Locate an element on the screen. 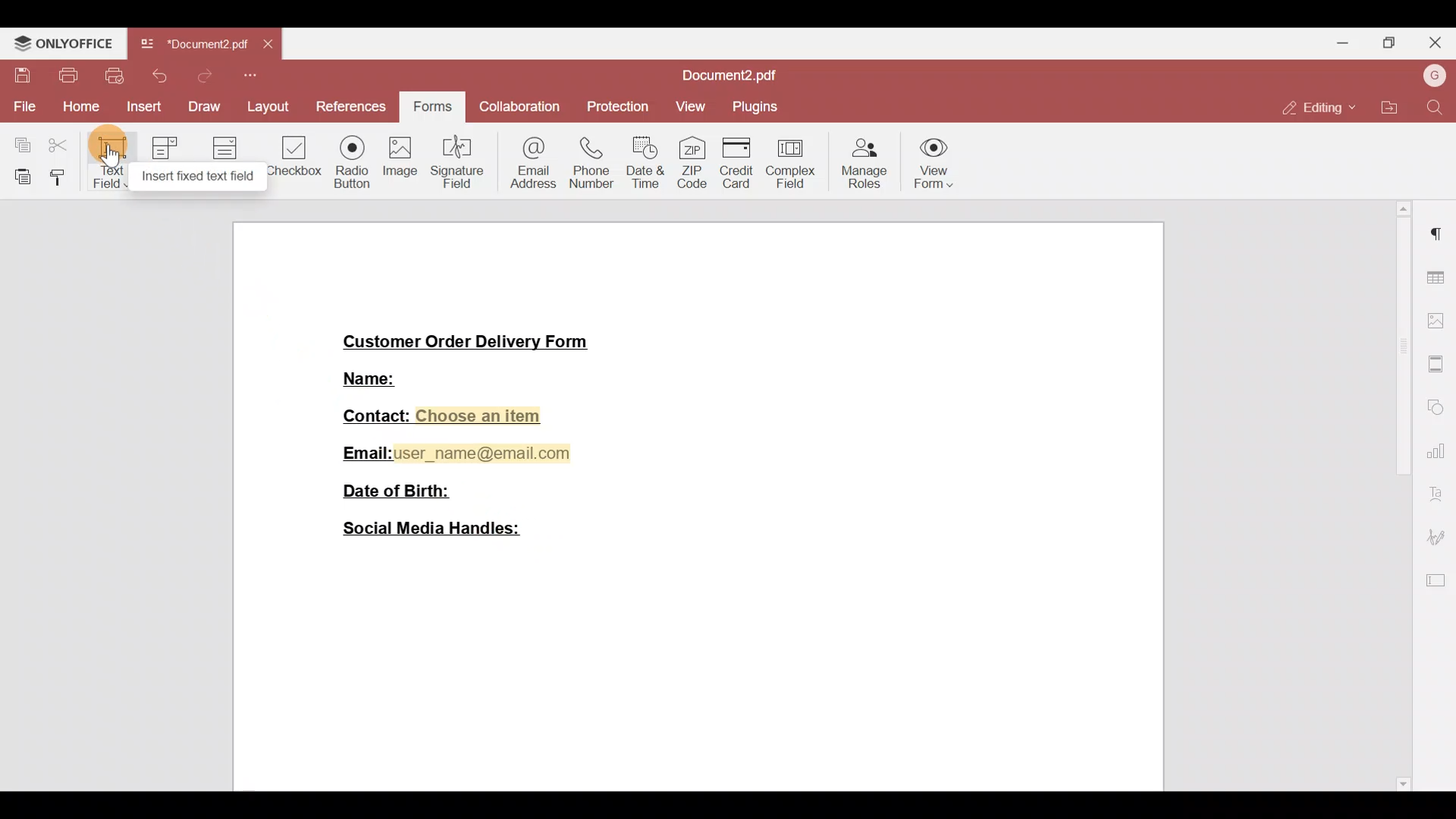 The height and width of the screenshot is (819, 1456). Quick print is located at coordinates (116, 76).